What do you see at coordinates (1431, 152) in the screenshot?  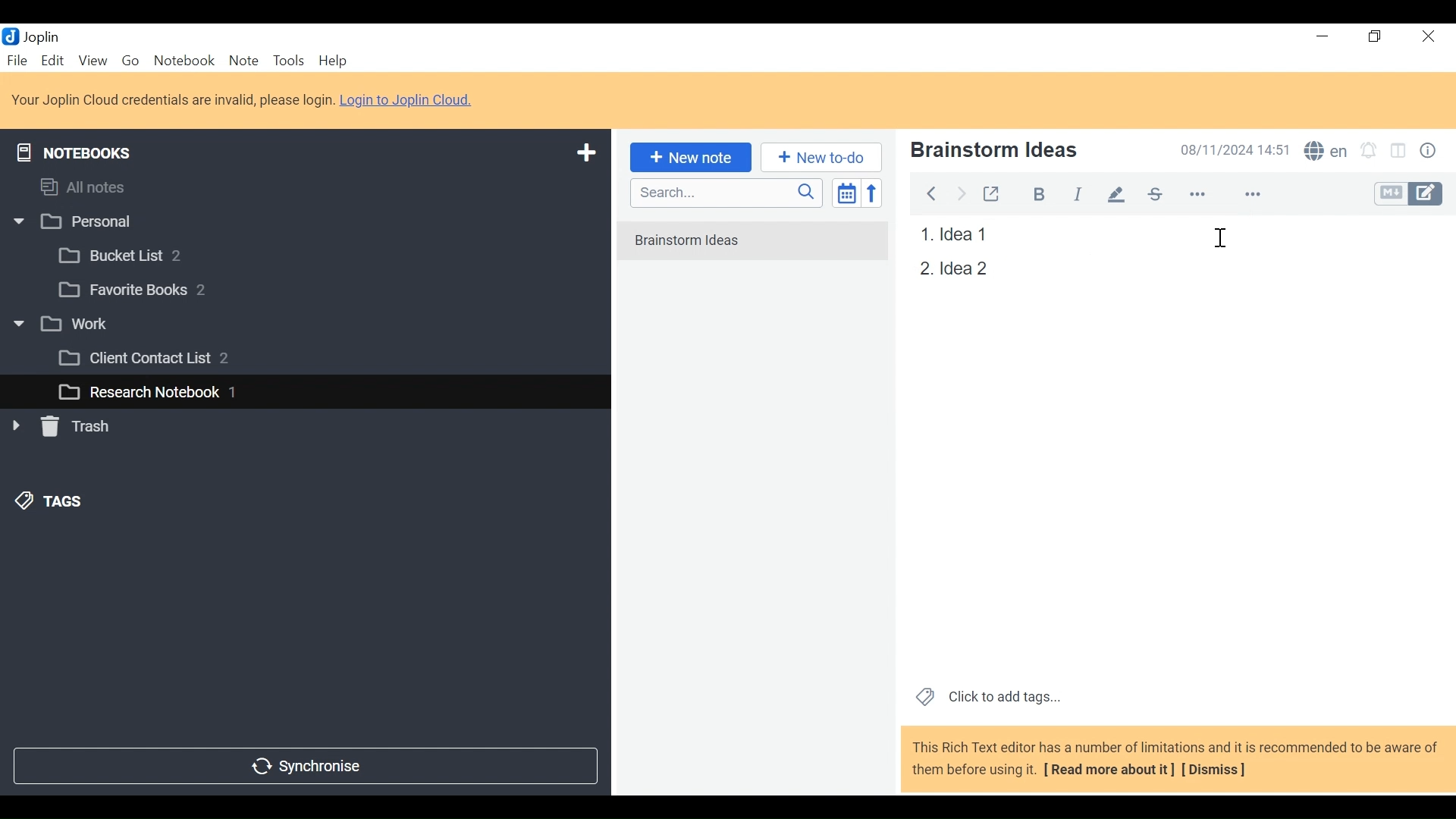 I see `Note properties` at bounding box center [1431, 152].